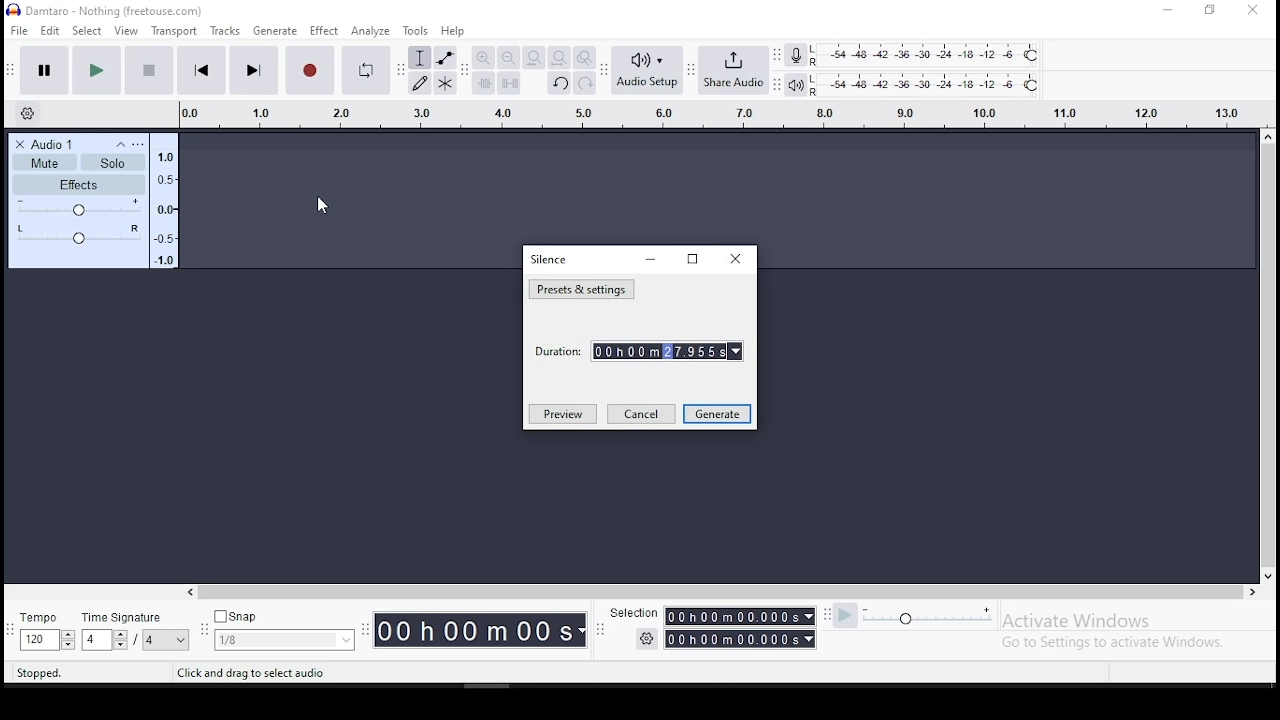 The height and width of the screenshot is (720, 1280). What do you see at coordinates (641, 415) in the screenshot?
I see `cancel` at bounding box center [641, 415].